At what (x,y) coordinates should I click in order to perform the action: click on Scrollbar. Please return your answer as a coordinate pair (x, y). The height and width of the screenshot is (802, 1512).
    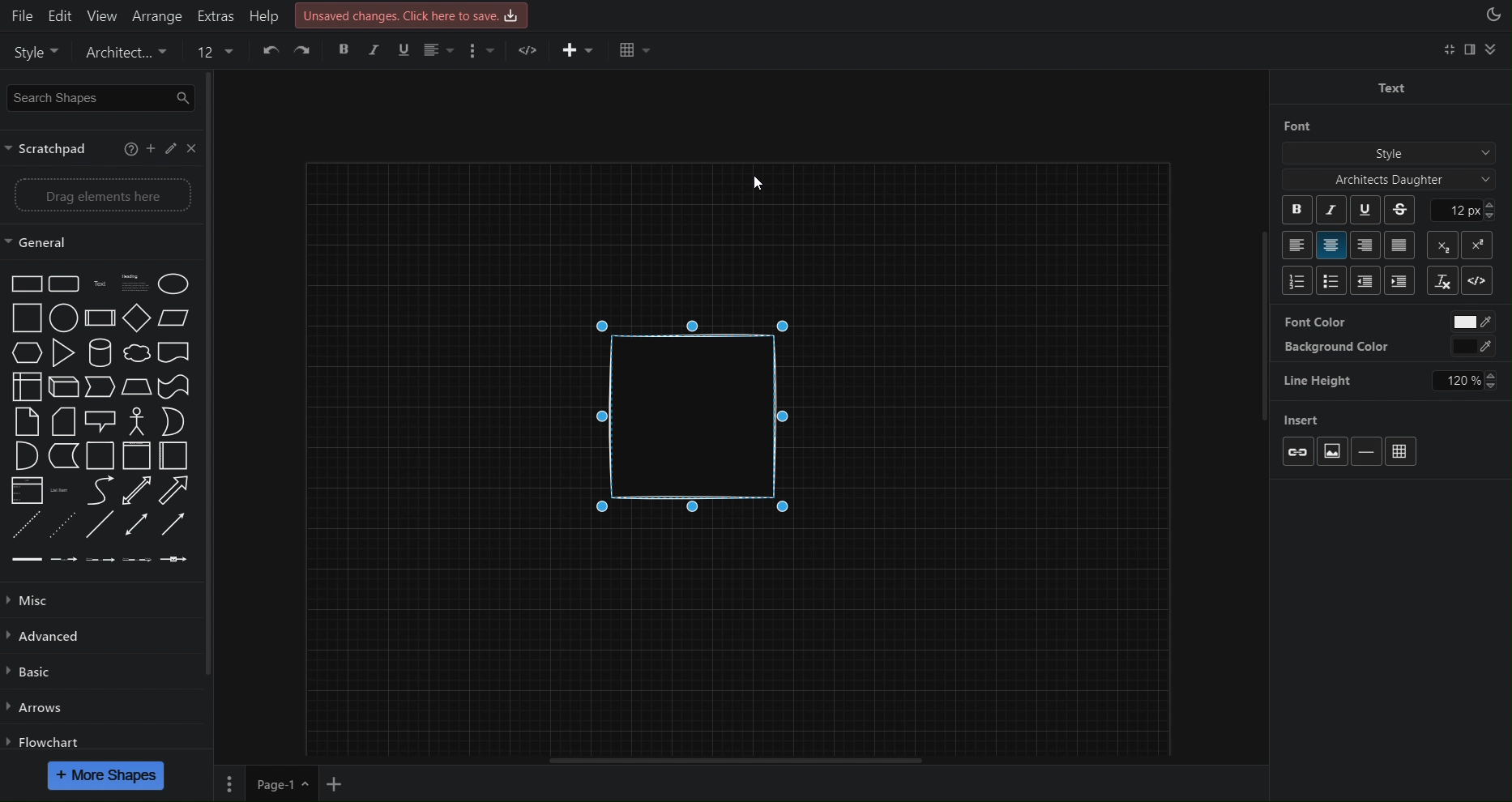
    Looking at the image, I should click on (732, 757).